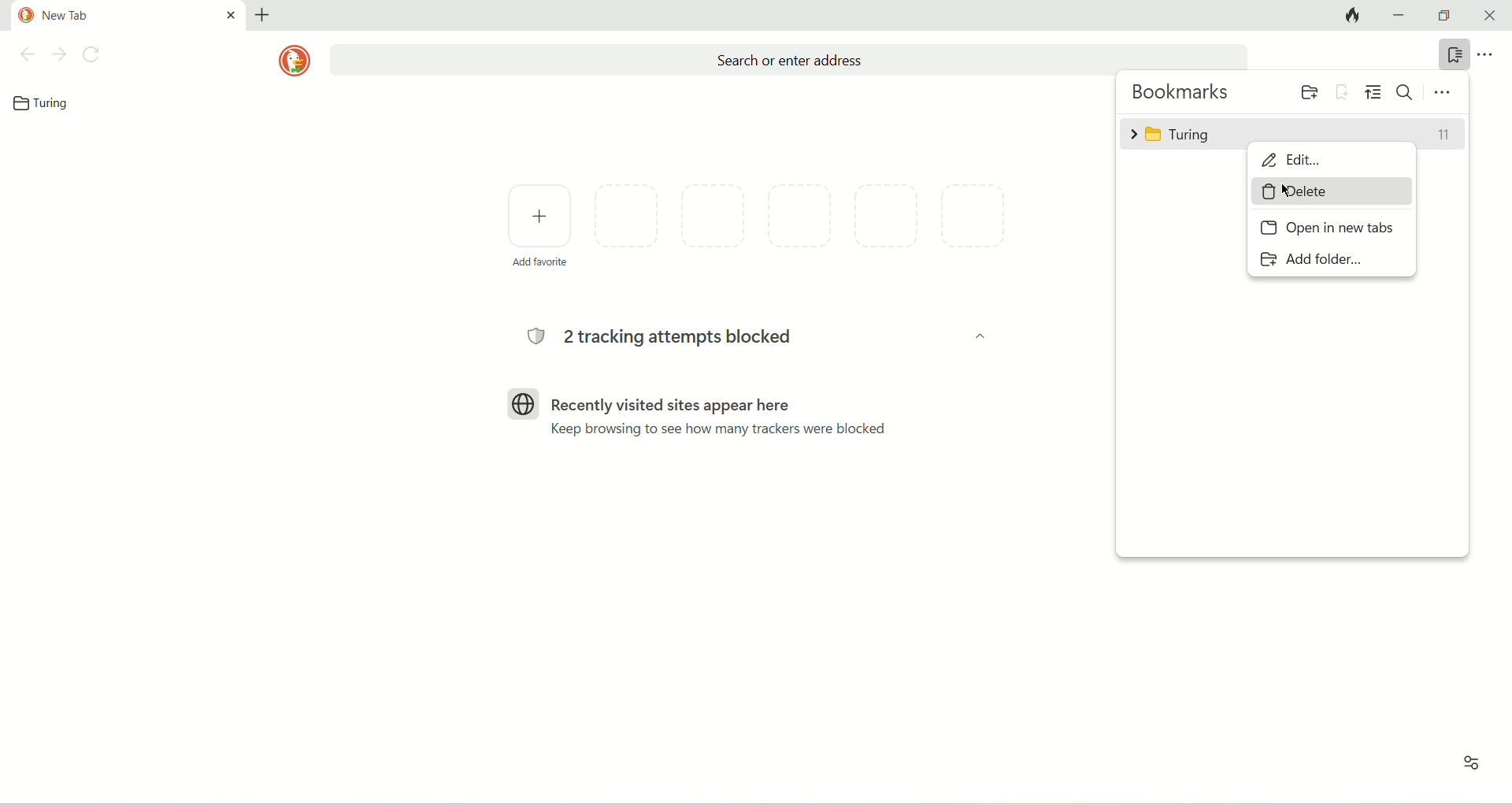 This screenshot has width=1512, height=805. Describe the element at coordinates (1310, 258) in the screenshot. I see `add folder` at that location.